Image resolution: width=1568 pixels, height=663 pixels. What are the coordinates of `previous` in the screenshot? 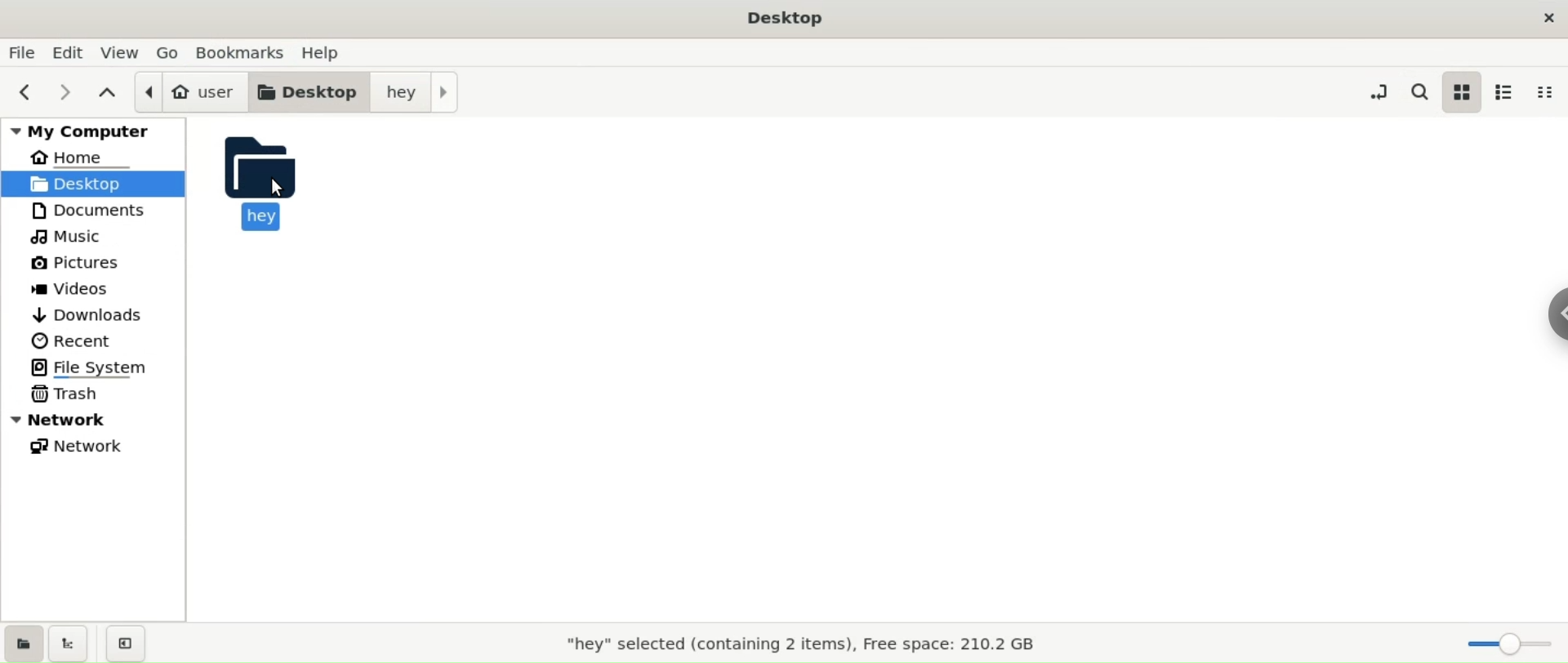 It's located at (26, 93).